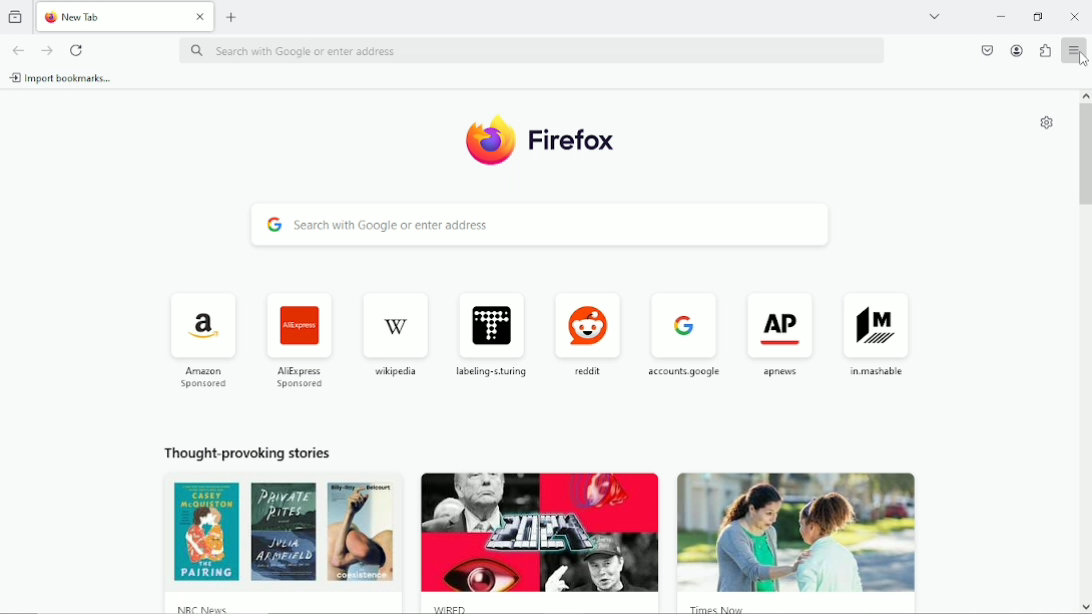 The width and height of the screenshot is (1092, 614). Describe the element at coordinates (126, 18) in the screenshot. I see `Current tab` at that location.